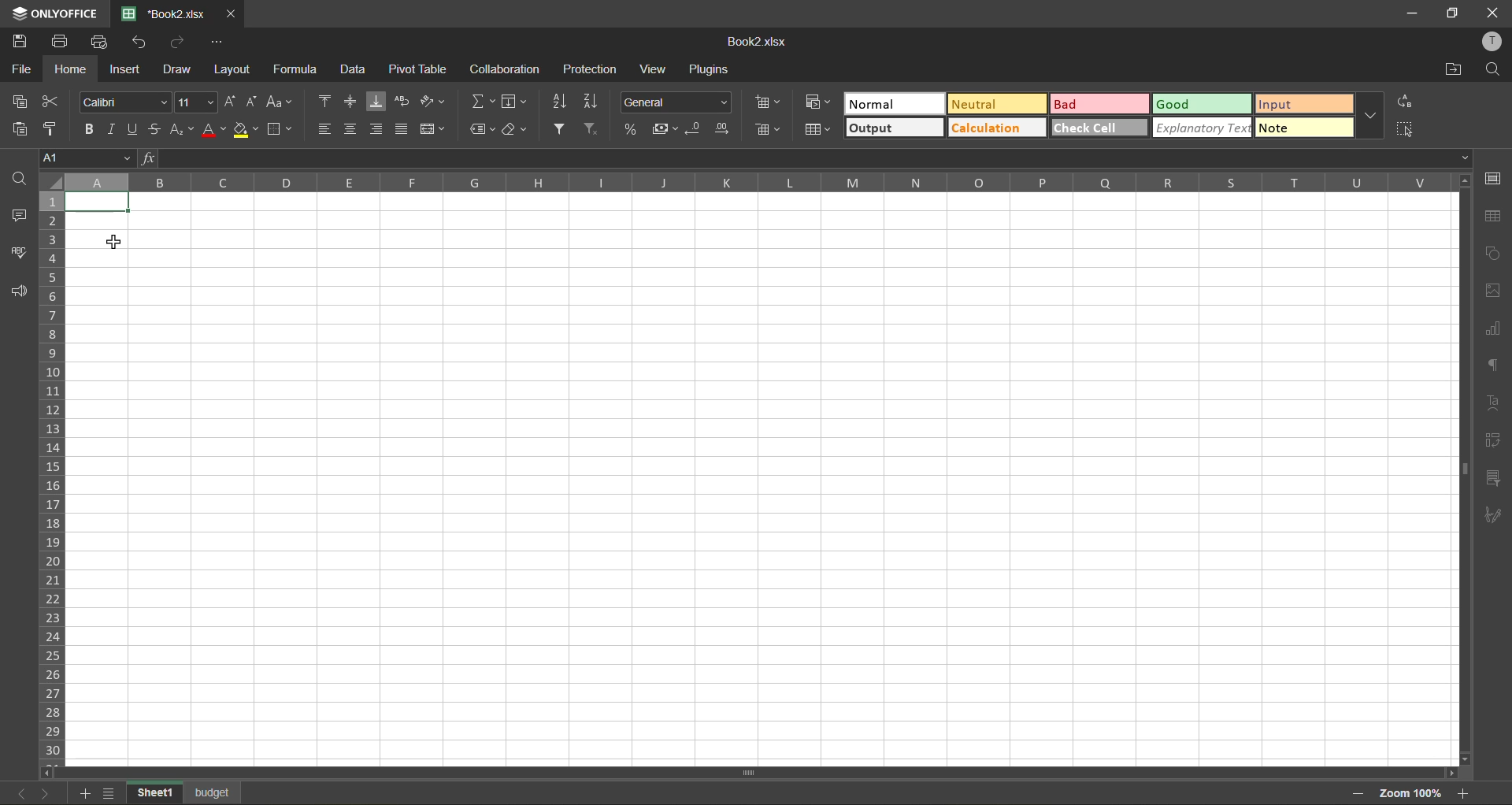 The image size is (1512, 805). What do you see at coordinates (1098, 126) in the screenshot?
I see `check cell` at bounding box center [1098, 126].